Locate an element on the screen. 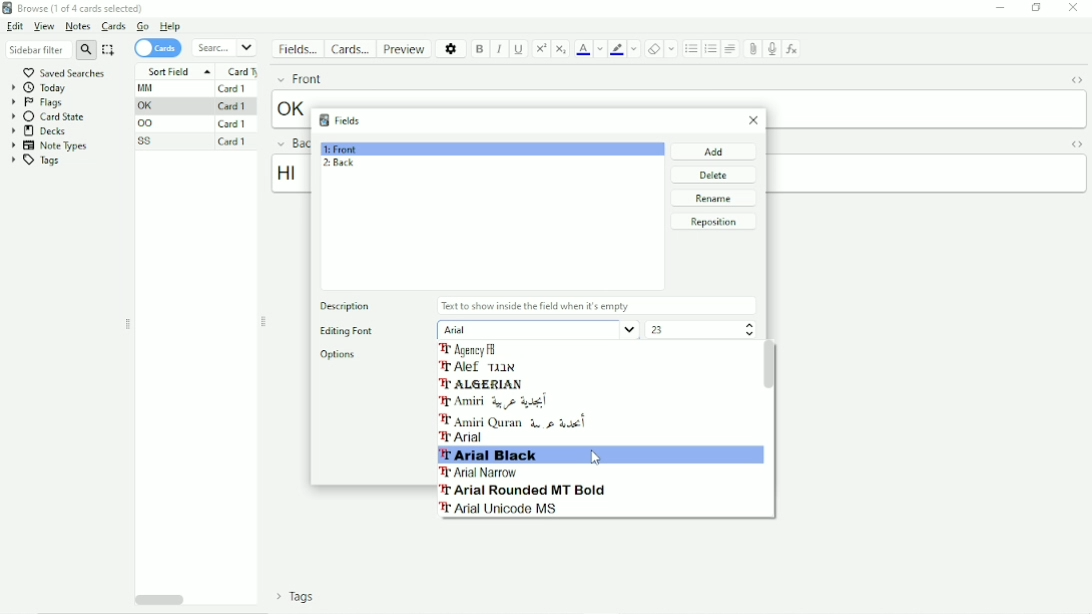  Description is located at coordinates (348, 304).